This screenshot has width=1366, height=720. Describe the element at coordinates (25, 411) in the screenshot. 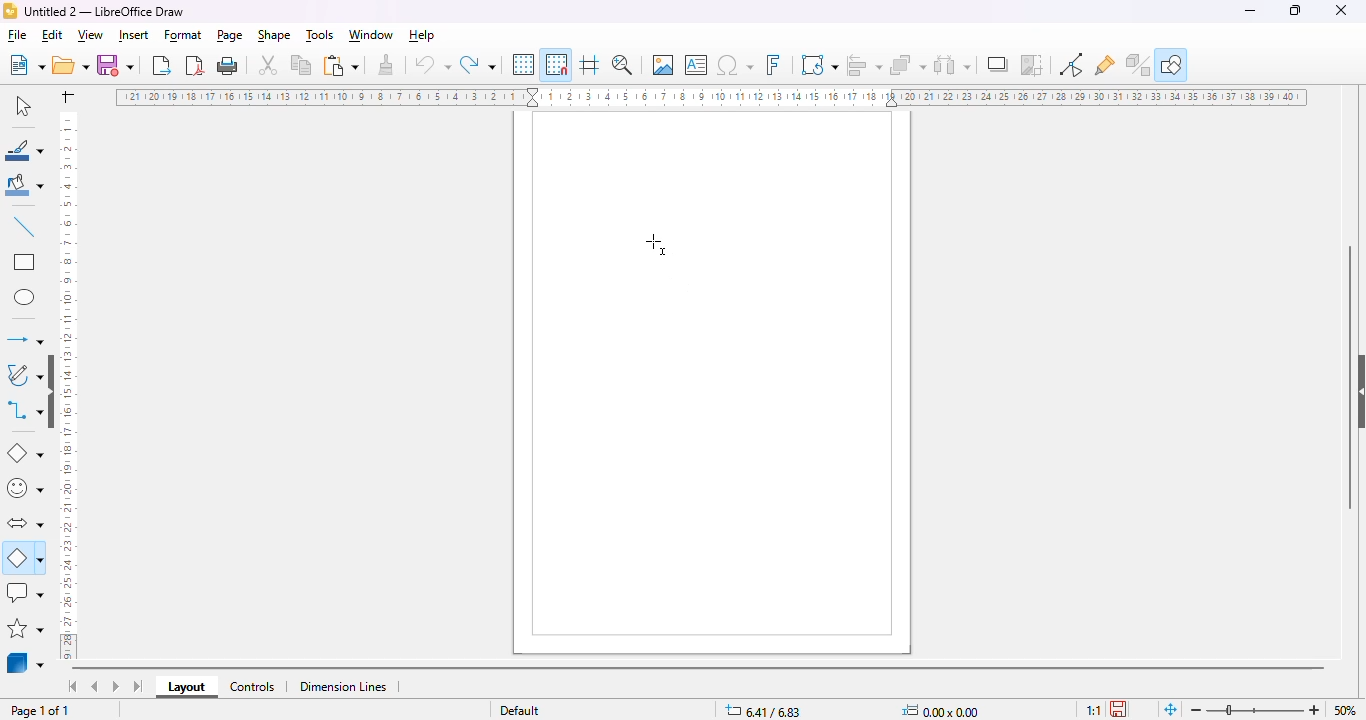

I see `connectors` at that location.